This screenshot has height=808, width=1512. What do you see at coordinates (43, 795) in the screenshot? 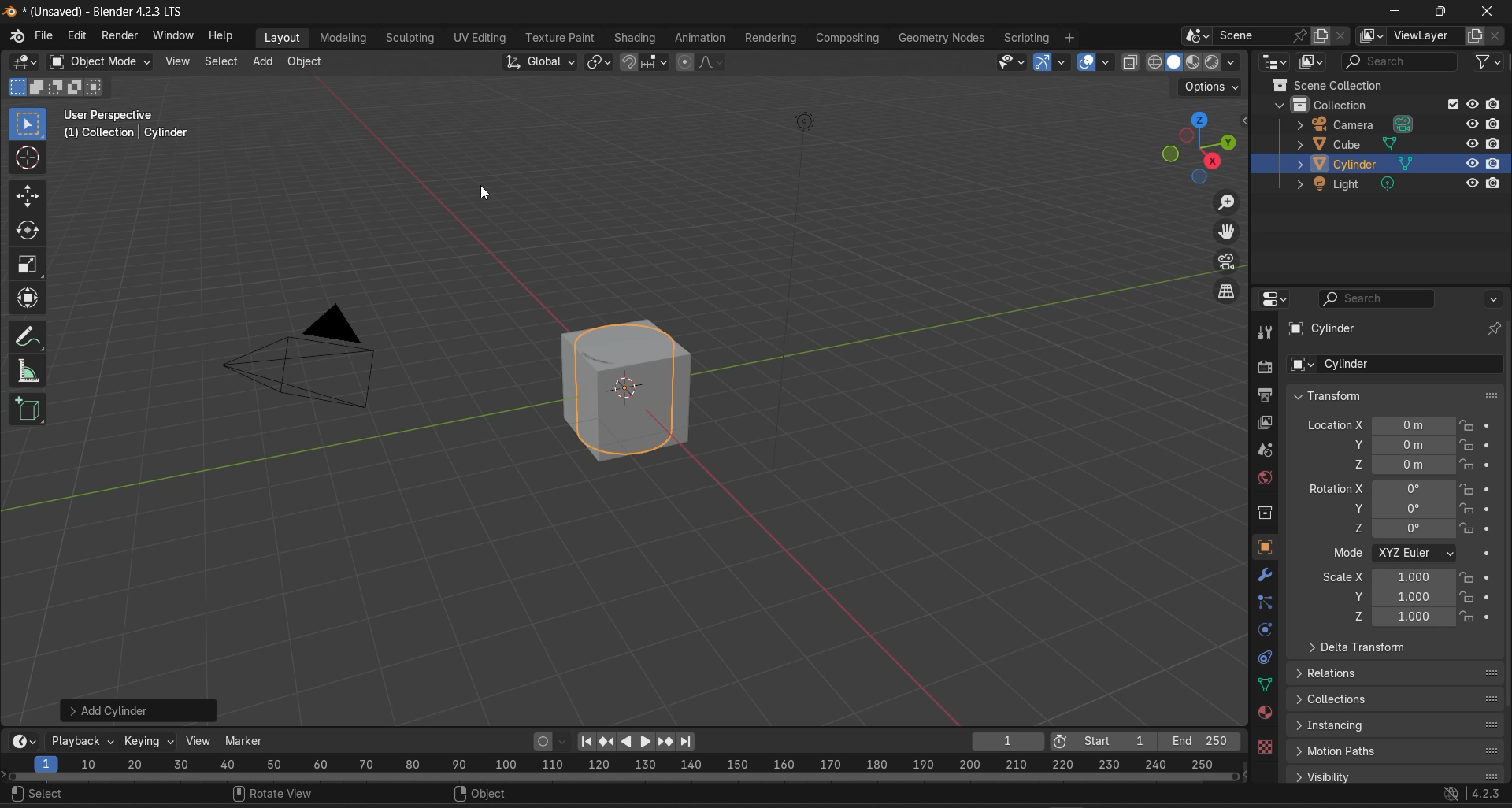
I see `search` at bounding box center [43, 795].